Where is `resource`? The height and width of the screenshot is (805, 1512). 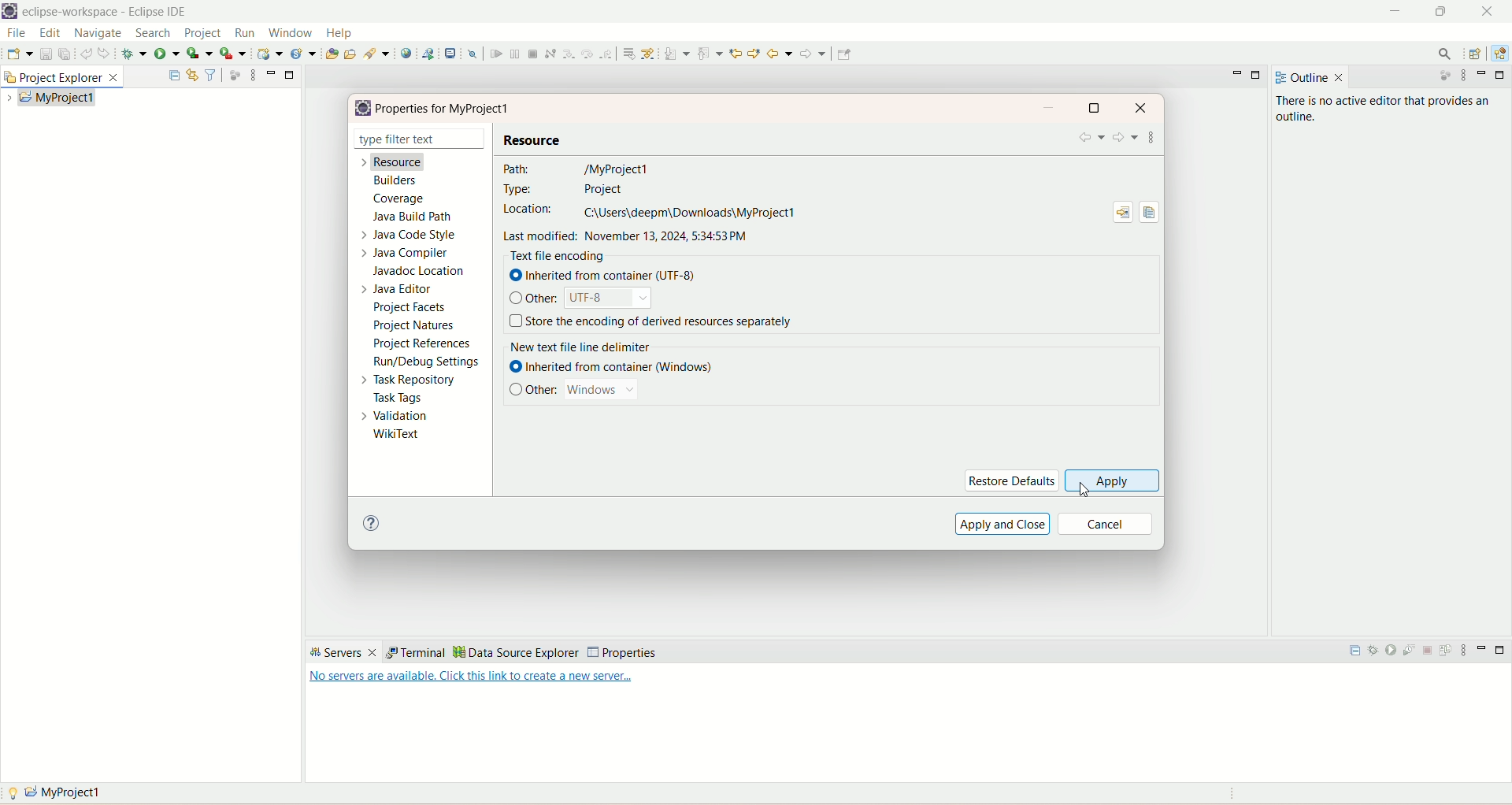 resource is located at coordinates (532, 139).